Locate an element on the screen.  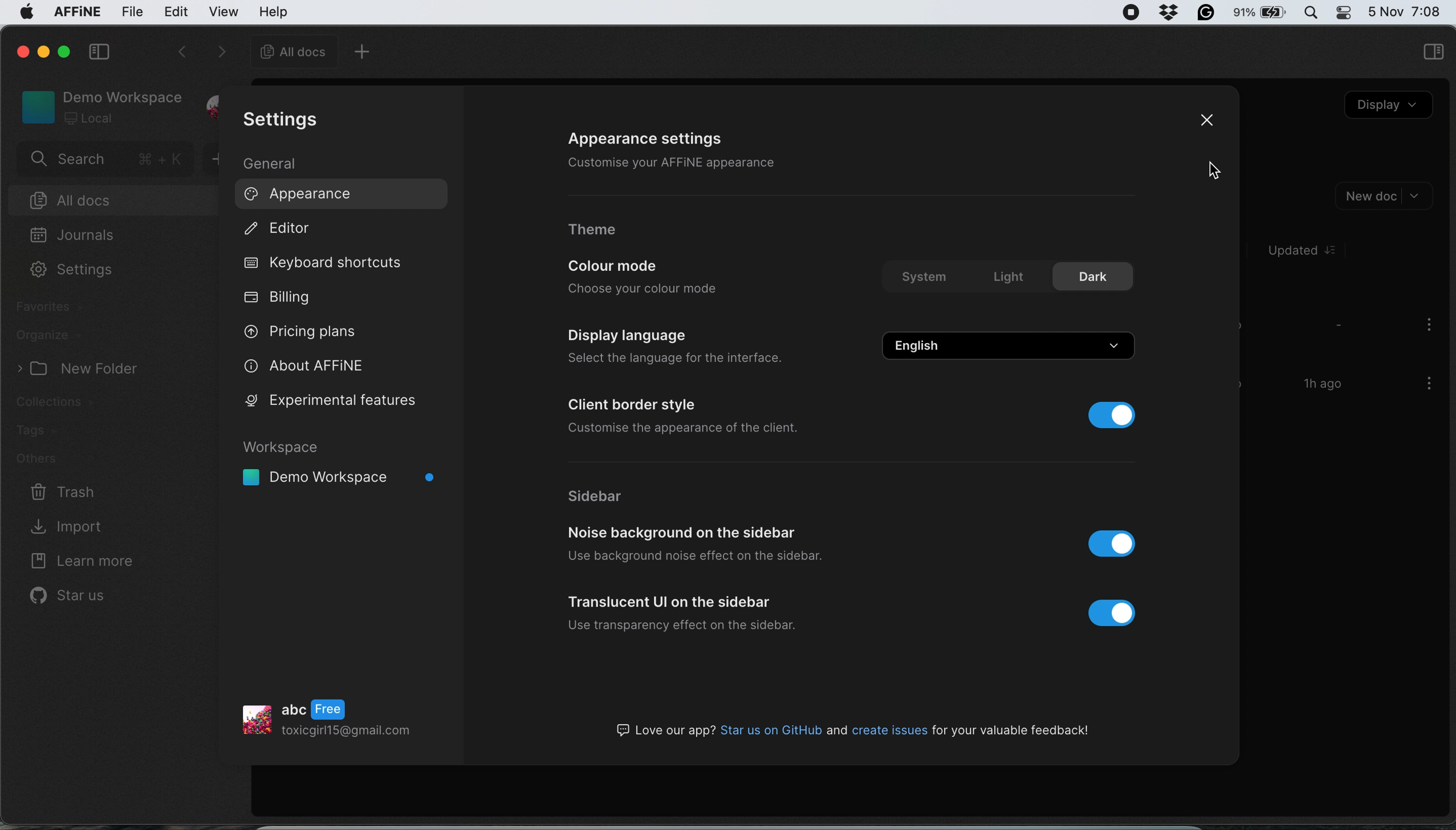
client border style is located at coordinates (636, 406).